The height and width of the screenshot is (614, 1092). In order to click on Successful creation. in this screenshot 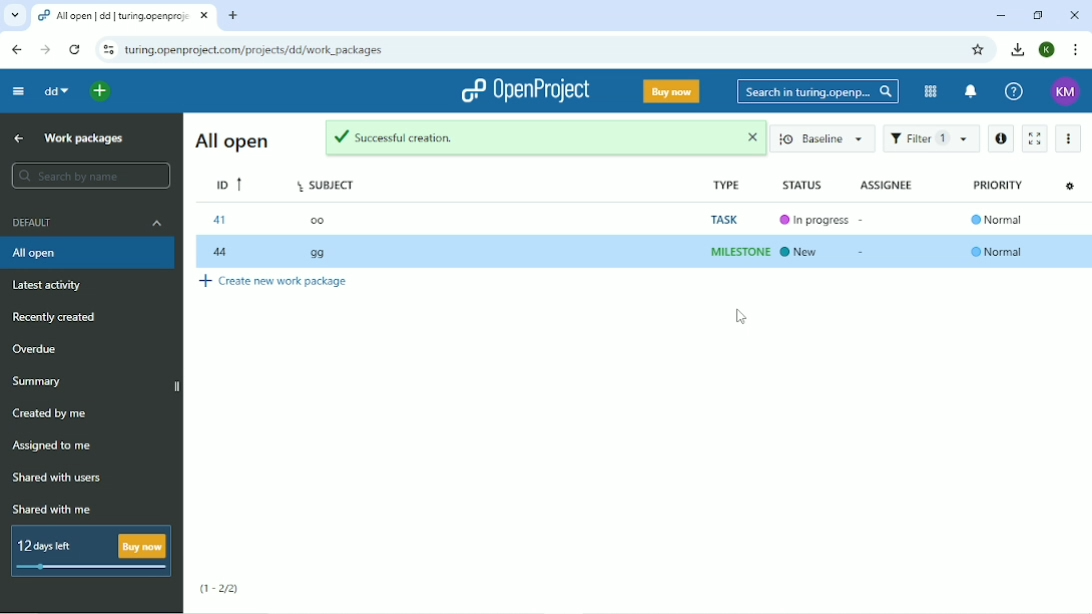, I will do `click(504, 137)`.